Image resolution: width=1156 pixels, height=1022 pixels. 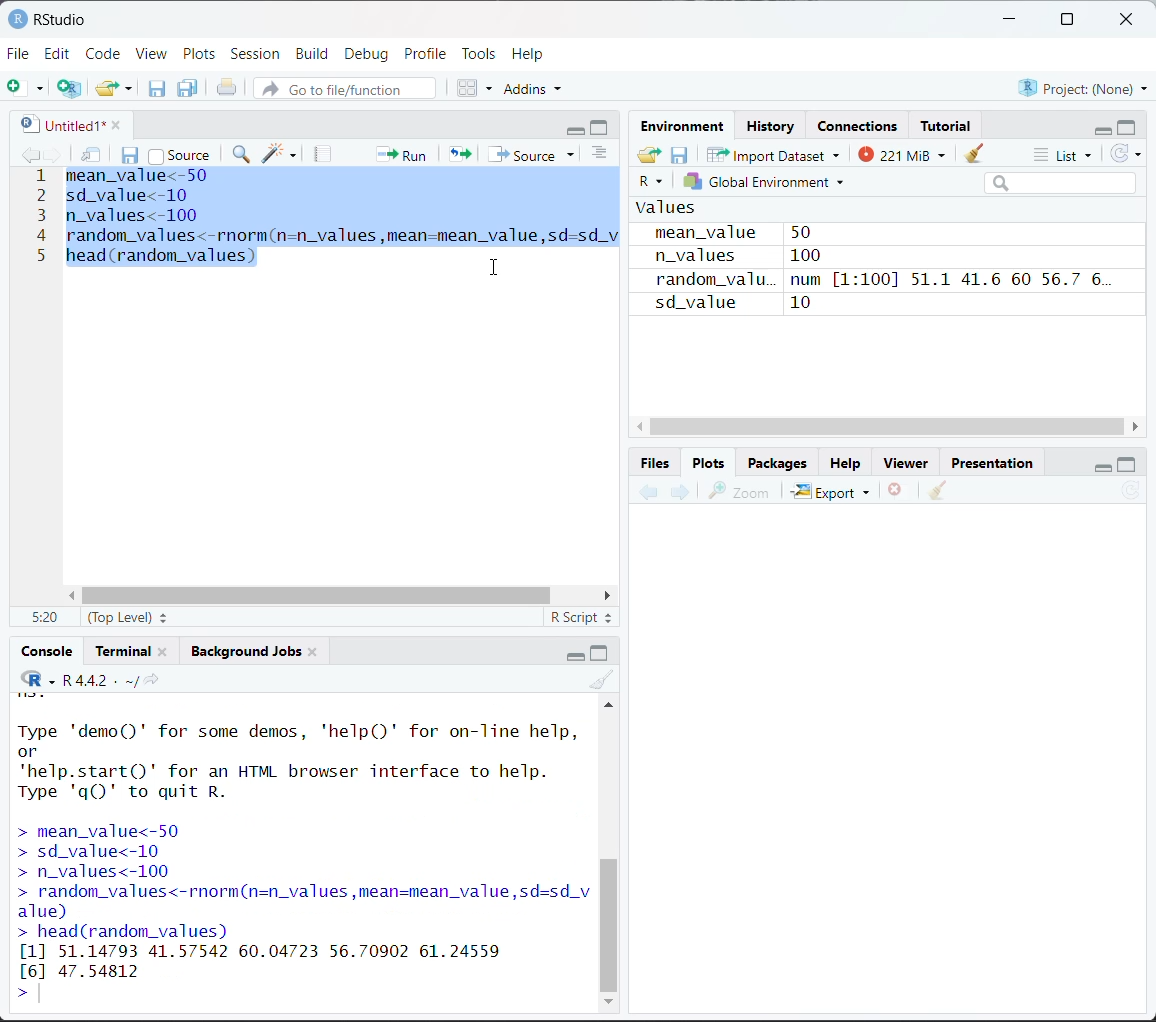 What do you see at coordinates (111, 123) in the screenshot?
I see `close` at bounding box center [111, 123].